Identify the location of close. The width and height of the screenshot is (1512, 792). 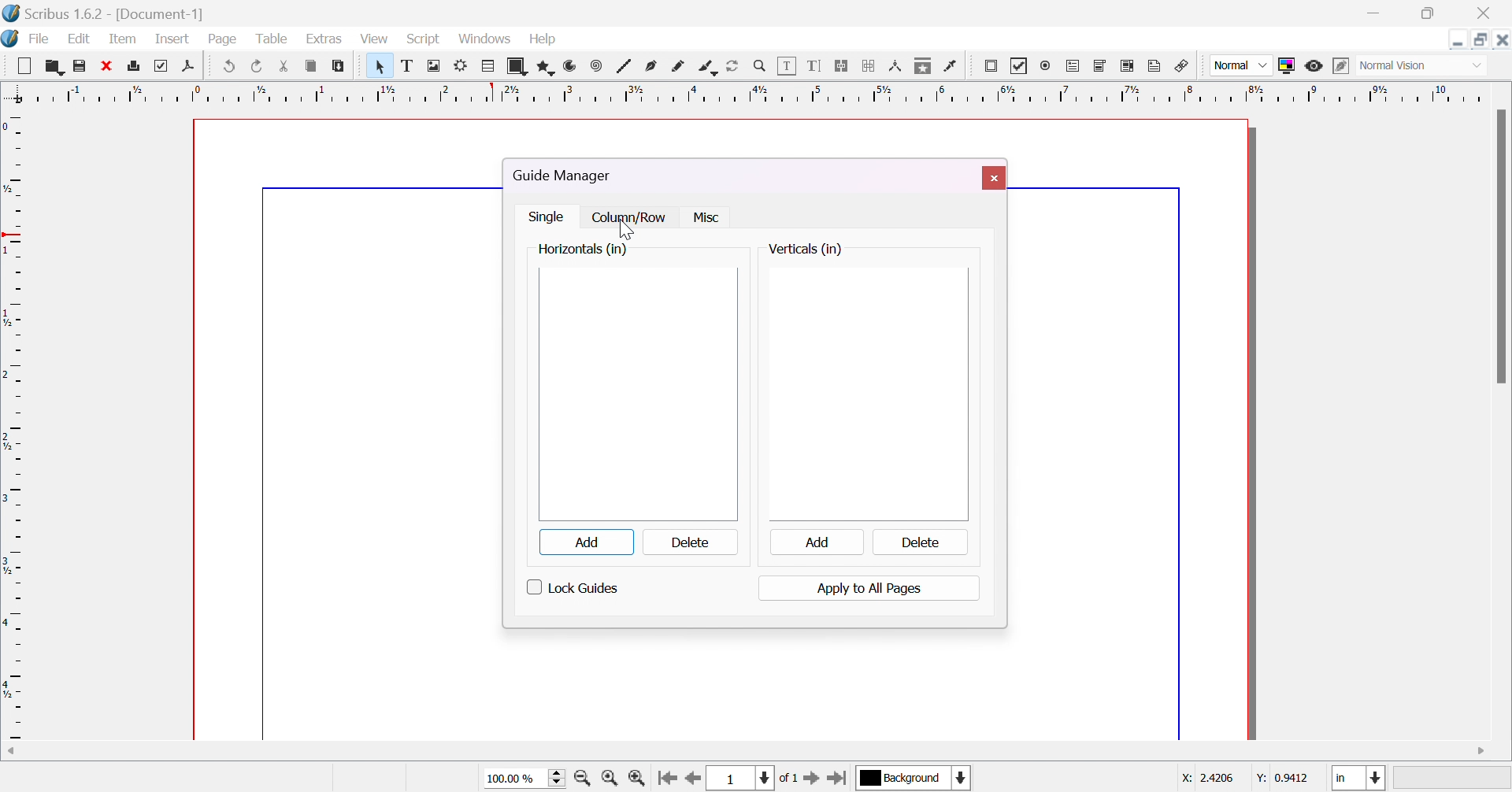
(995, 178).